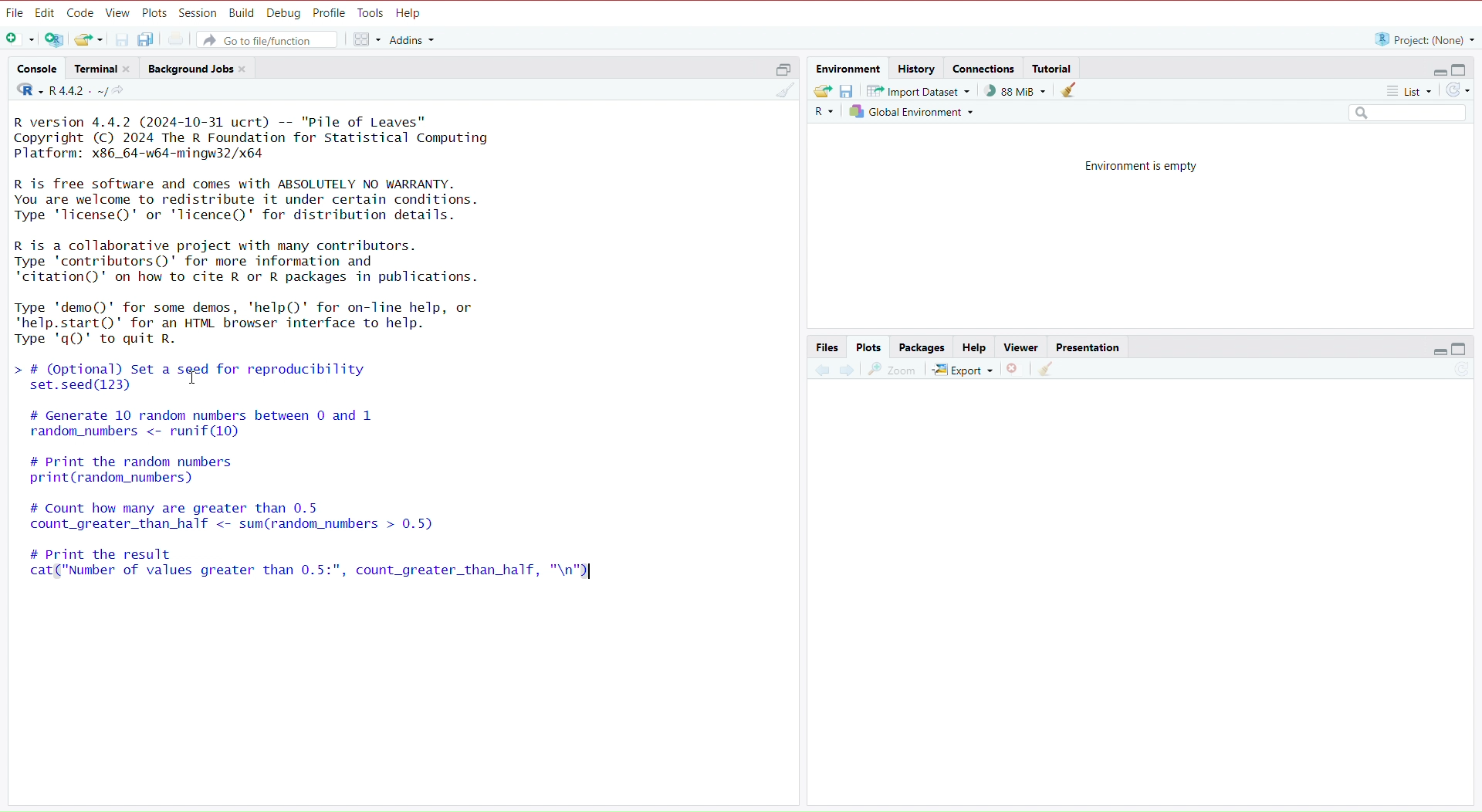 The height and width of the screenshot is (812, 1482). I want to click on Open new project, so click(52, 40).